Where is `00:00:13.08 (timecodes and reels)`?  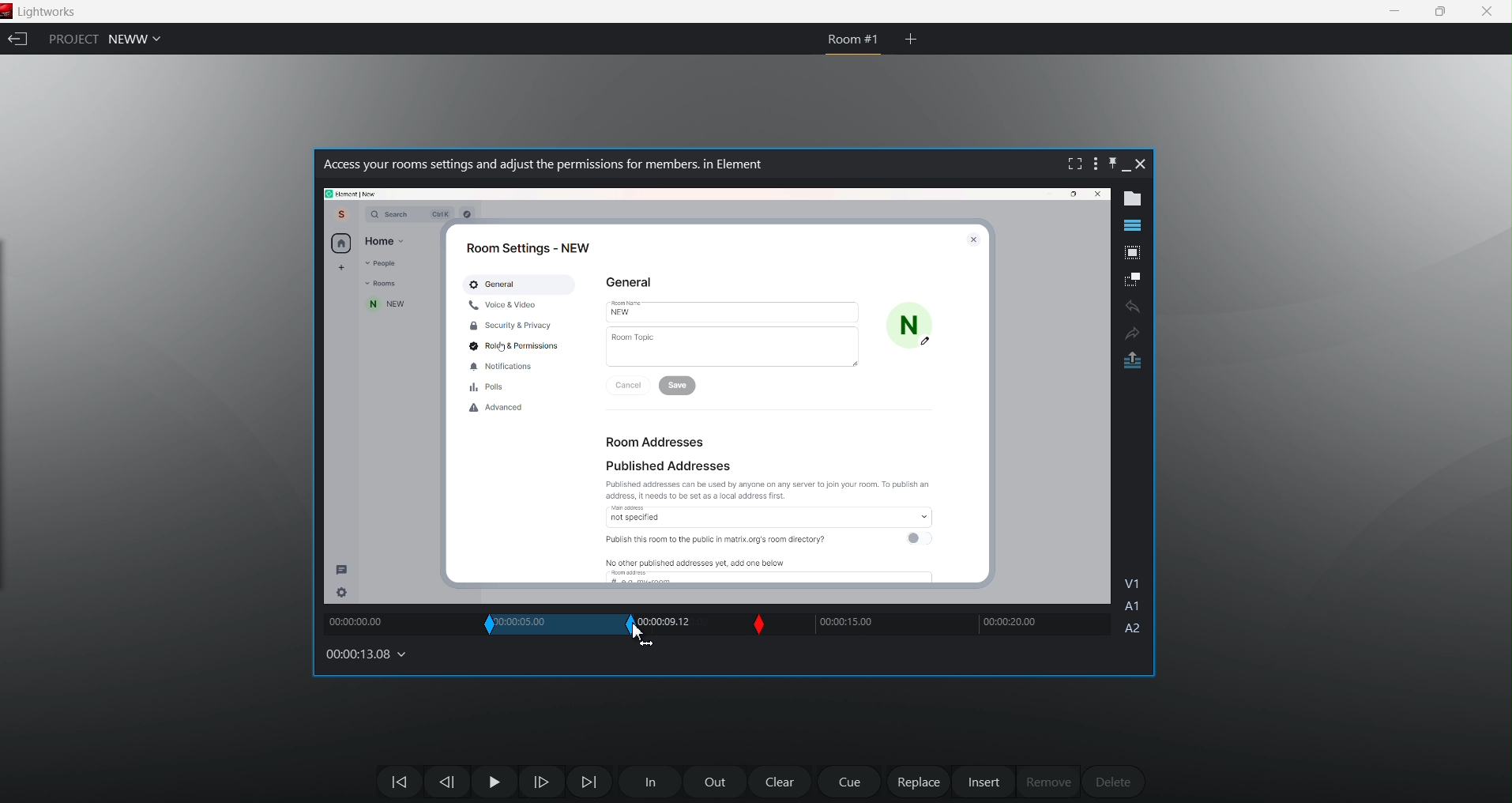
00:00:13.08 (timecodes and reels) is located at coordinates (365, 655).